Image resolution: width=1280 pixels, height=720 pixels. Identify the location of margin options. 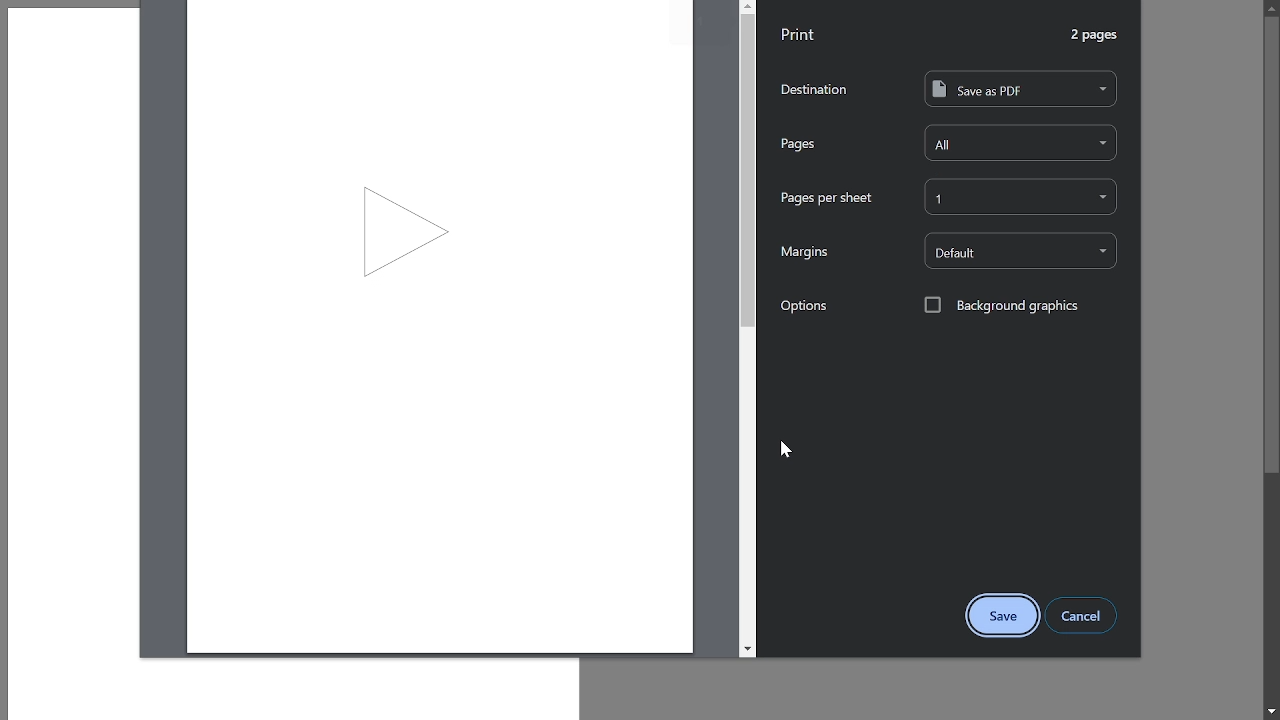
(1021, 251).